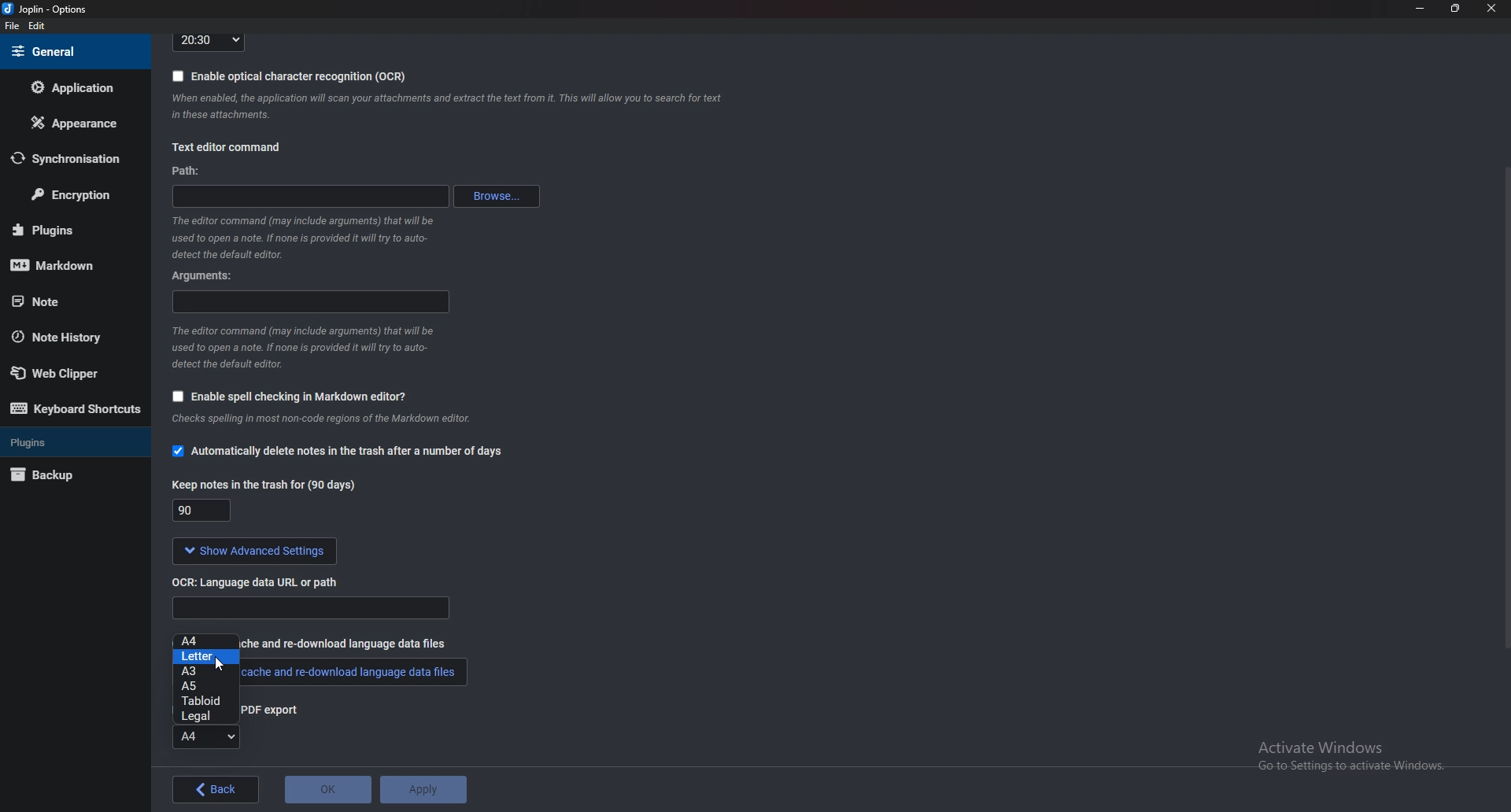  I want to click on general, so click(72, 51).